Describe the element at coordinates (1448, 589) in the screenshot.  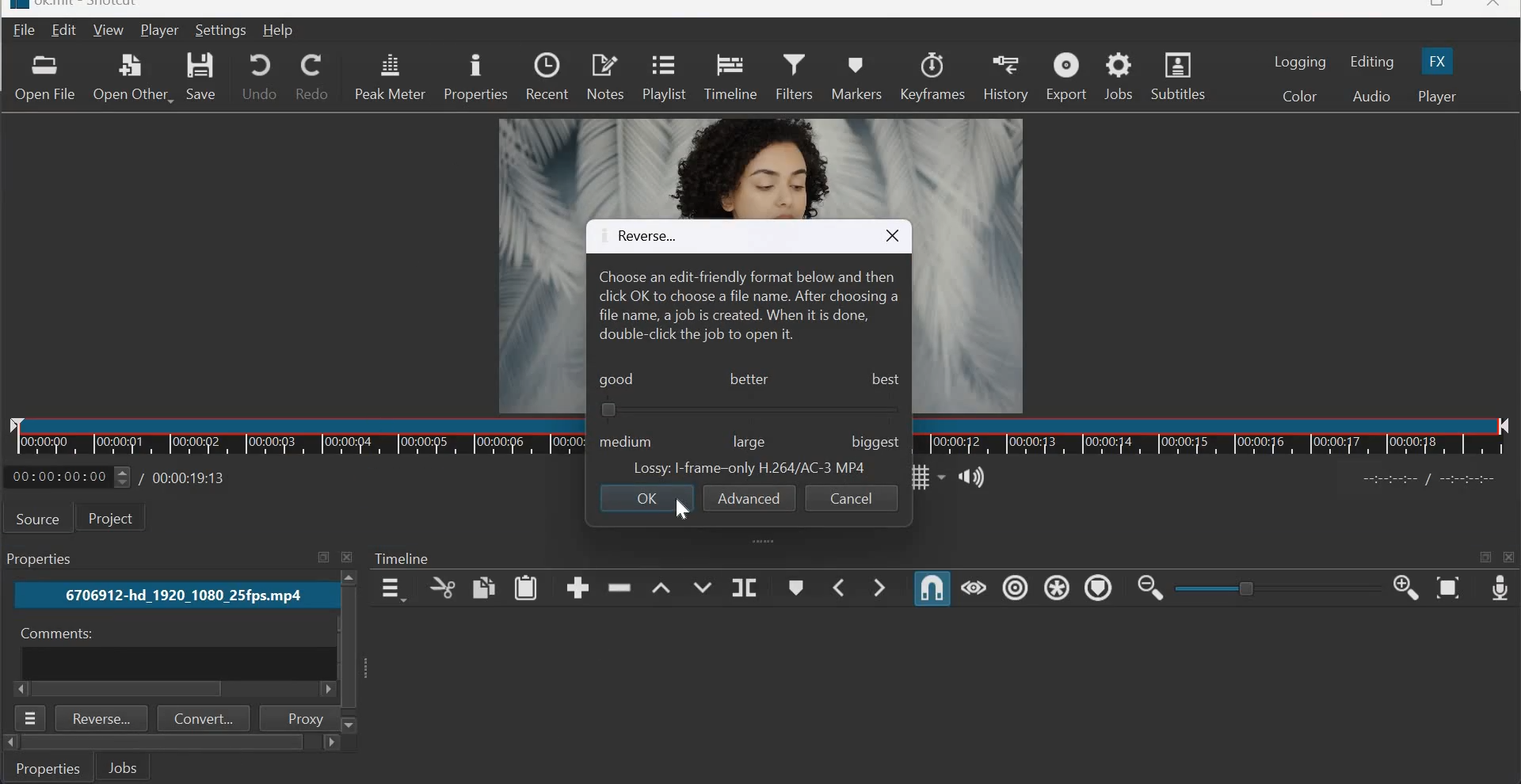
I see `Zoom Timeline to Fit` at that location.